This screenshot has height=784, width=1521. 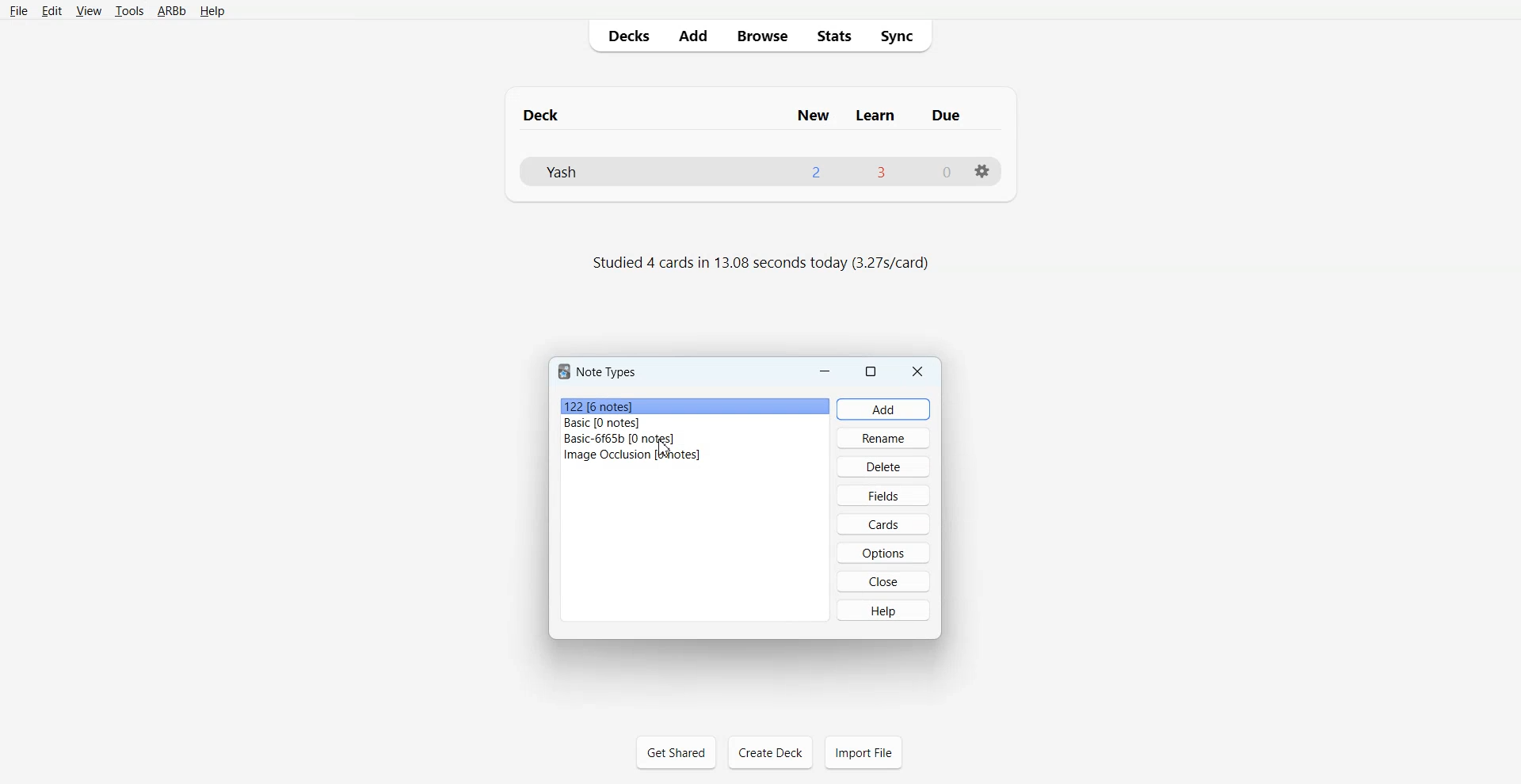 What do you see at coordinates (760, 36) in the screenshot?
I see `Browse` at bounding box center [760, 36].